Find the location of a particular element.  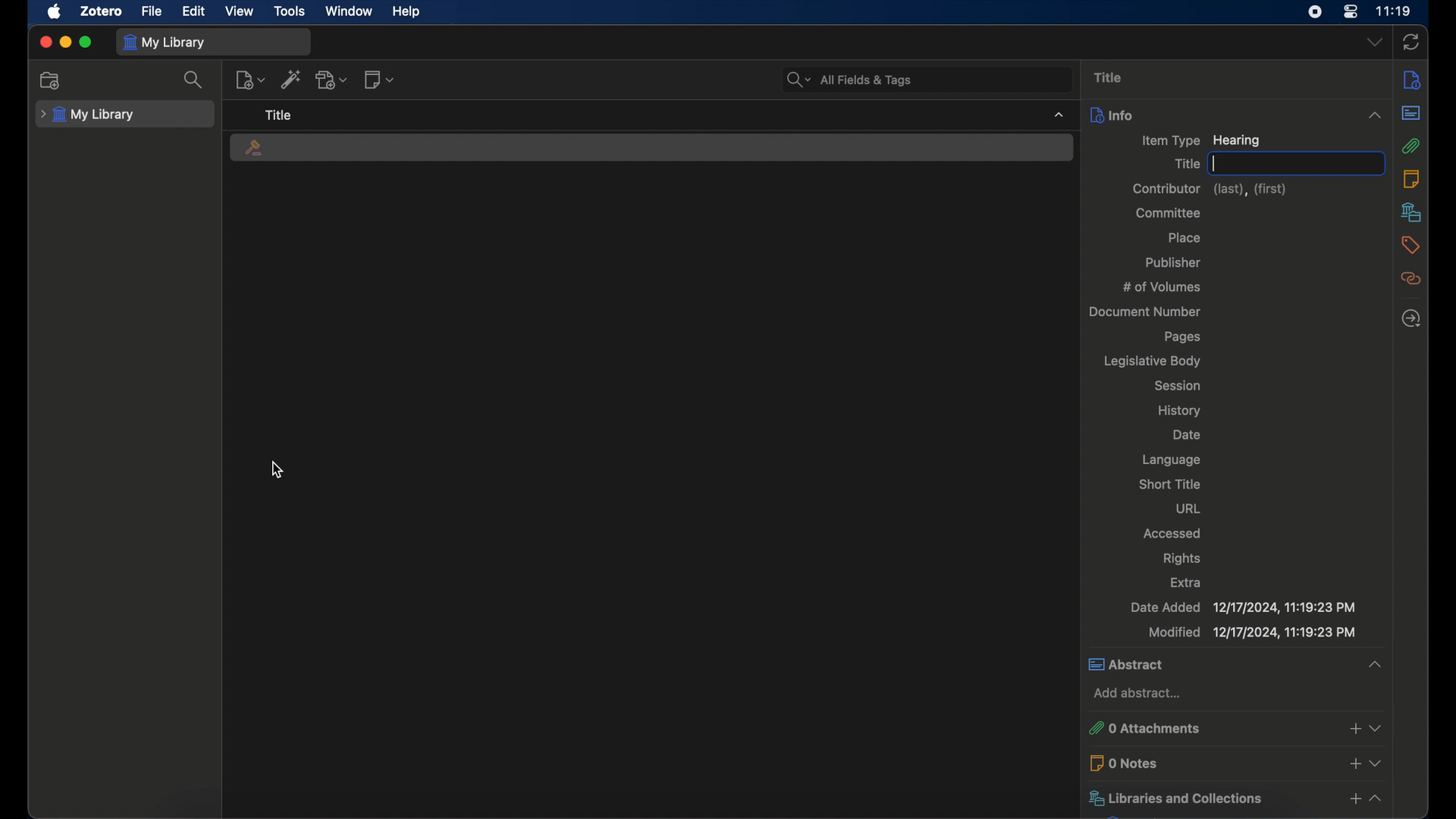

attachments is located at coordinates (1411, 146).